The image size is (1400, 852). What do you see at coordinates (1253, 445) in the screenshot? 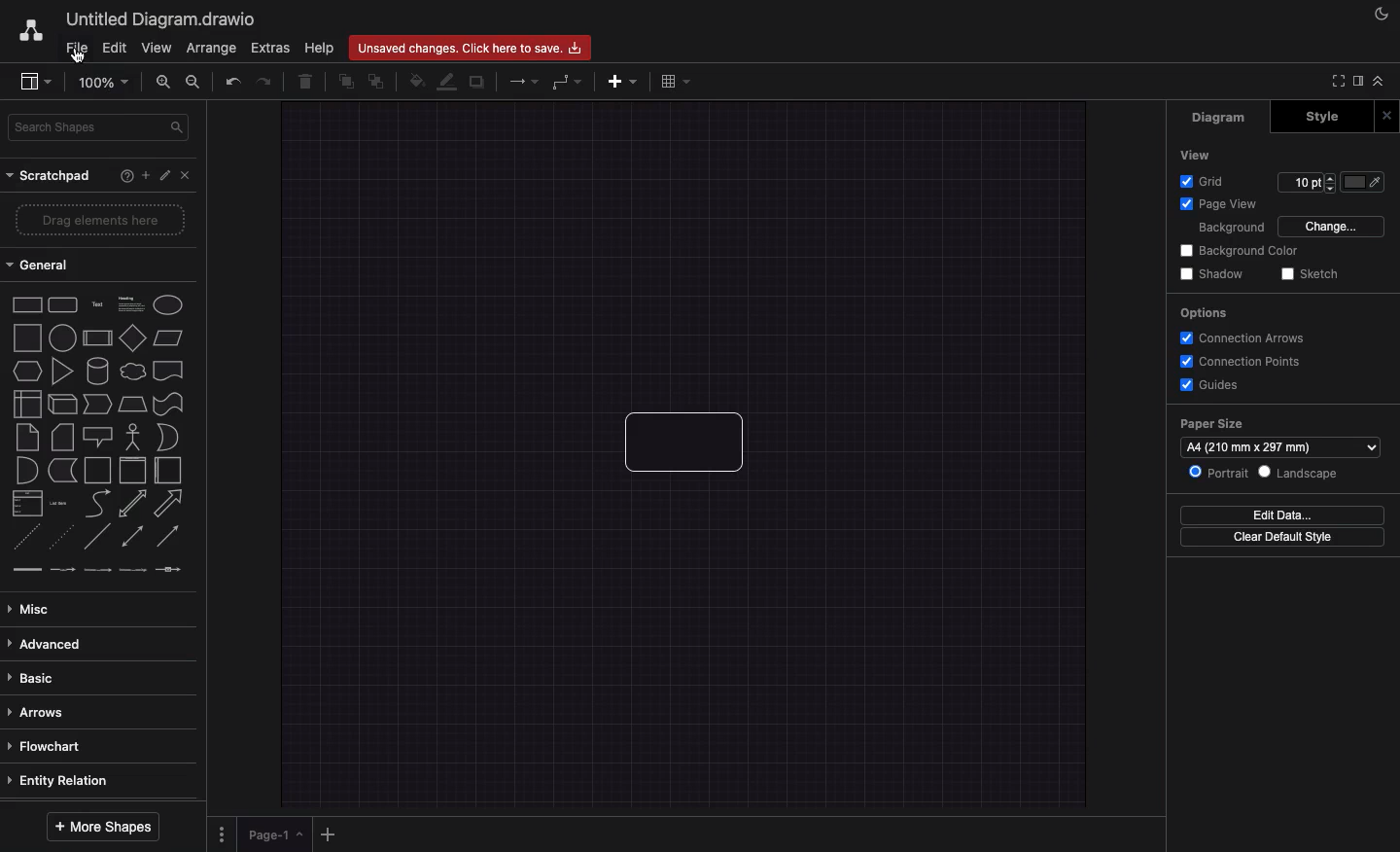
I see `a4 (210mm*297mm)` at bounding box center [1253, 445].